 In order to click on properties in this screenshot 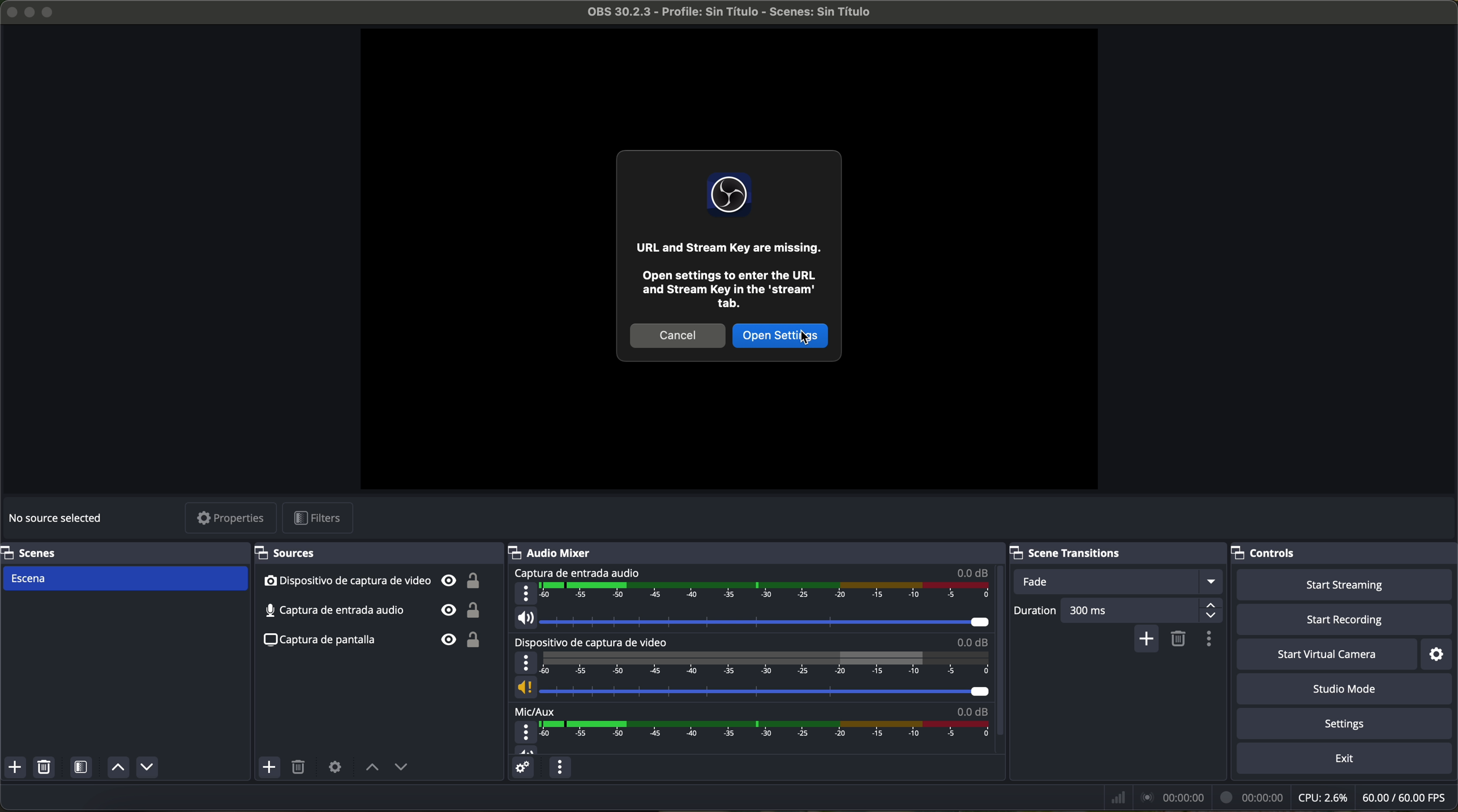, I will do `click(231, 519)`.